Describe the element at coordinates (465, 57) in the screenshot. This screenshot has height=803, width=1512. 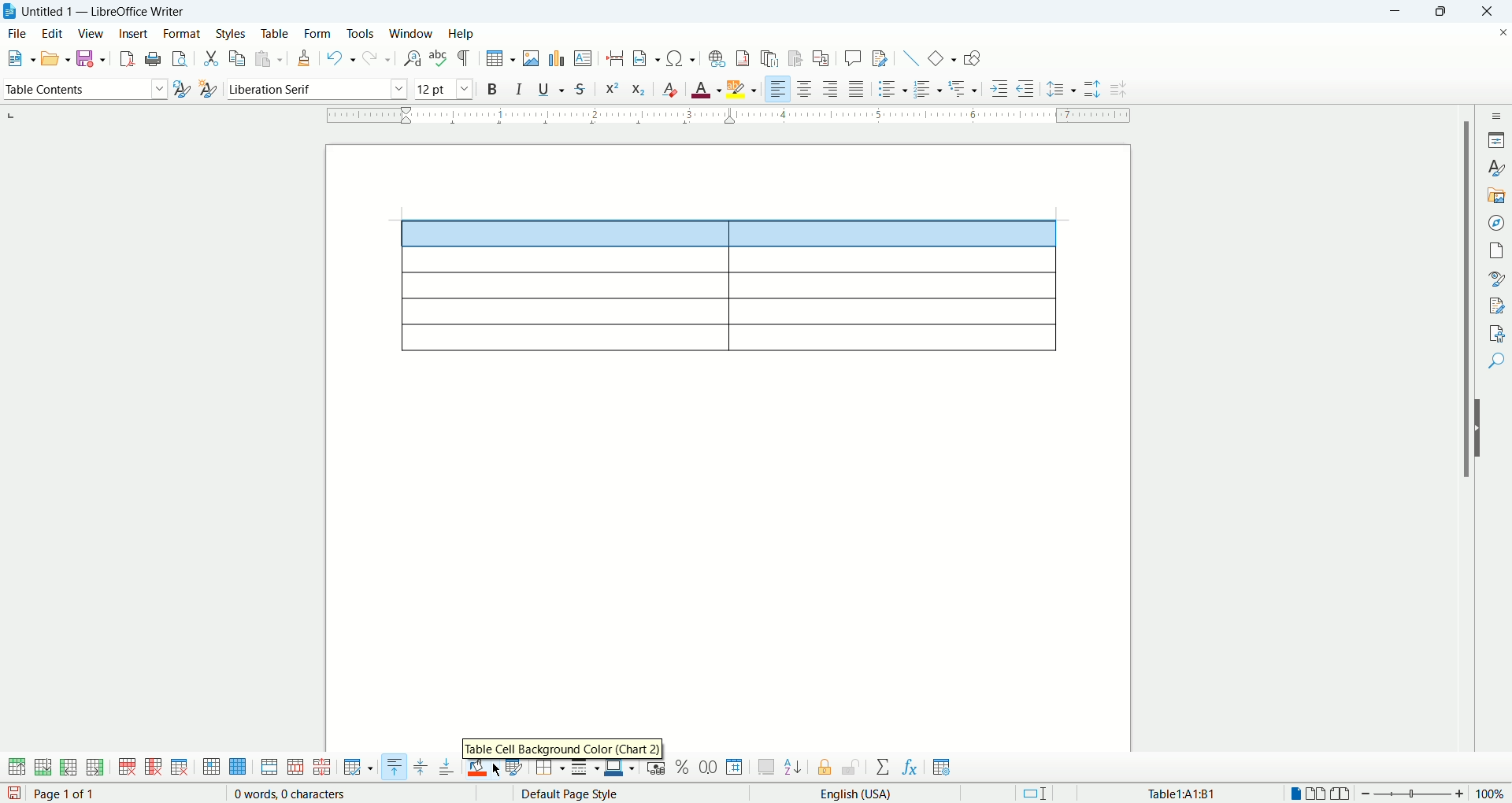
I see `formatting mask` at that location.